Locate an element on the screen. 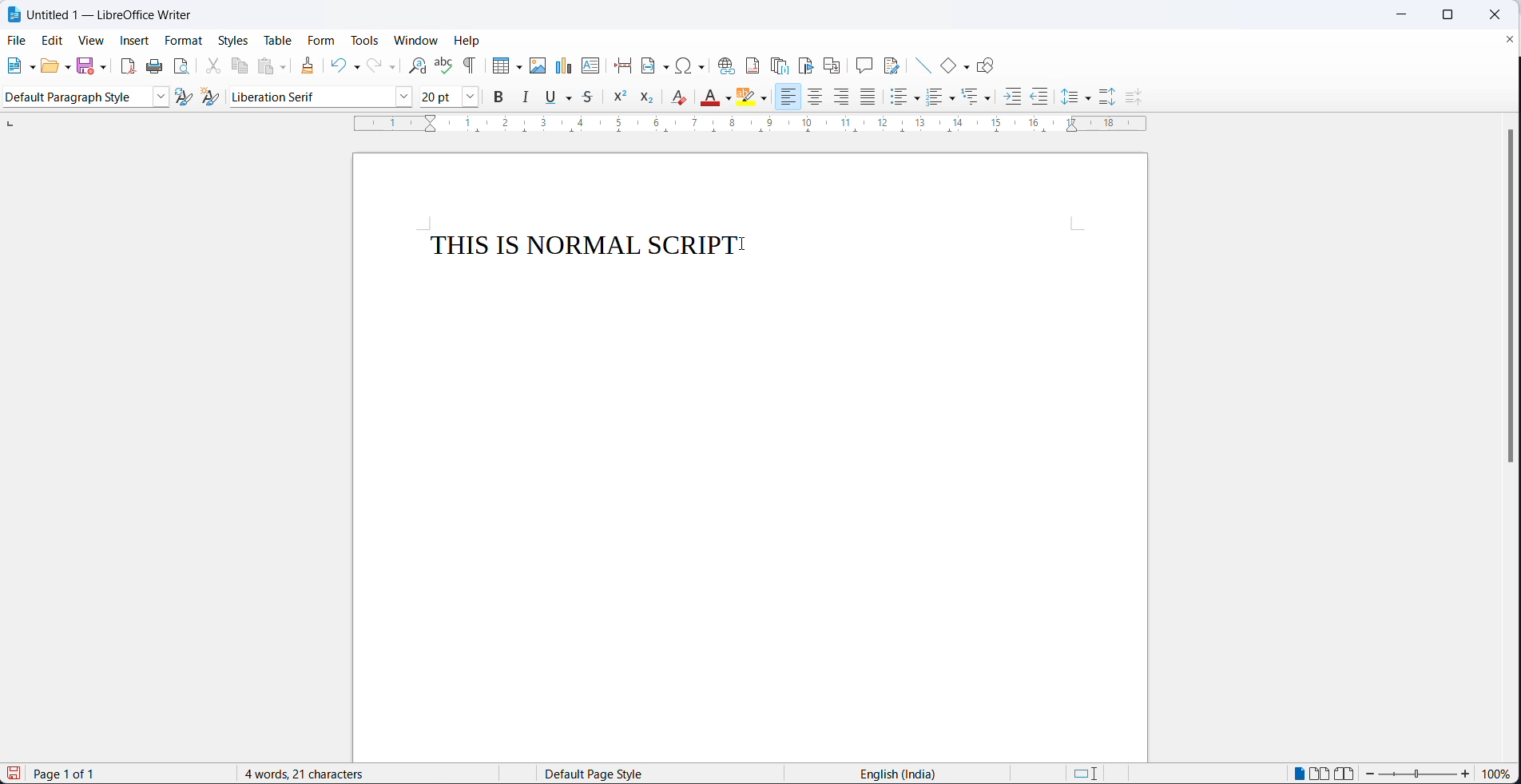  word and character count is located at coordinates (313, 774).